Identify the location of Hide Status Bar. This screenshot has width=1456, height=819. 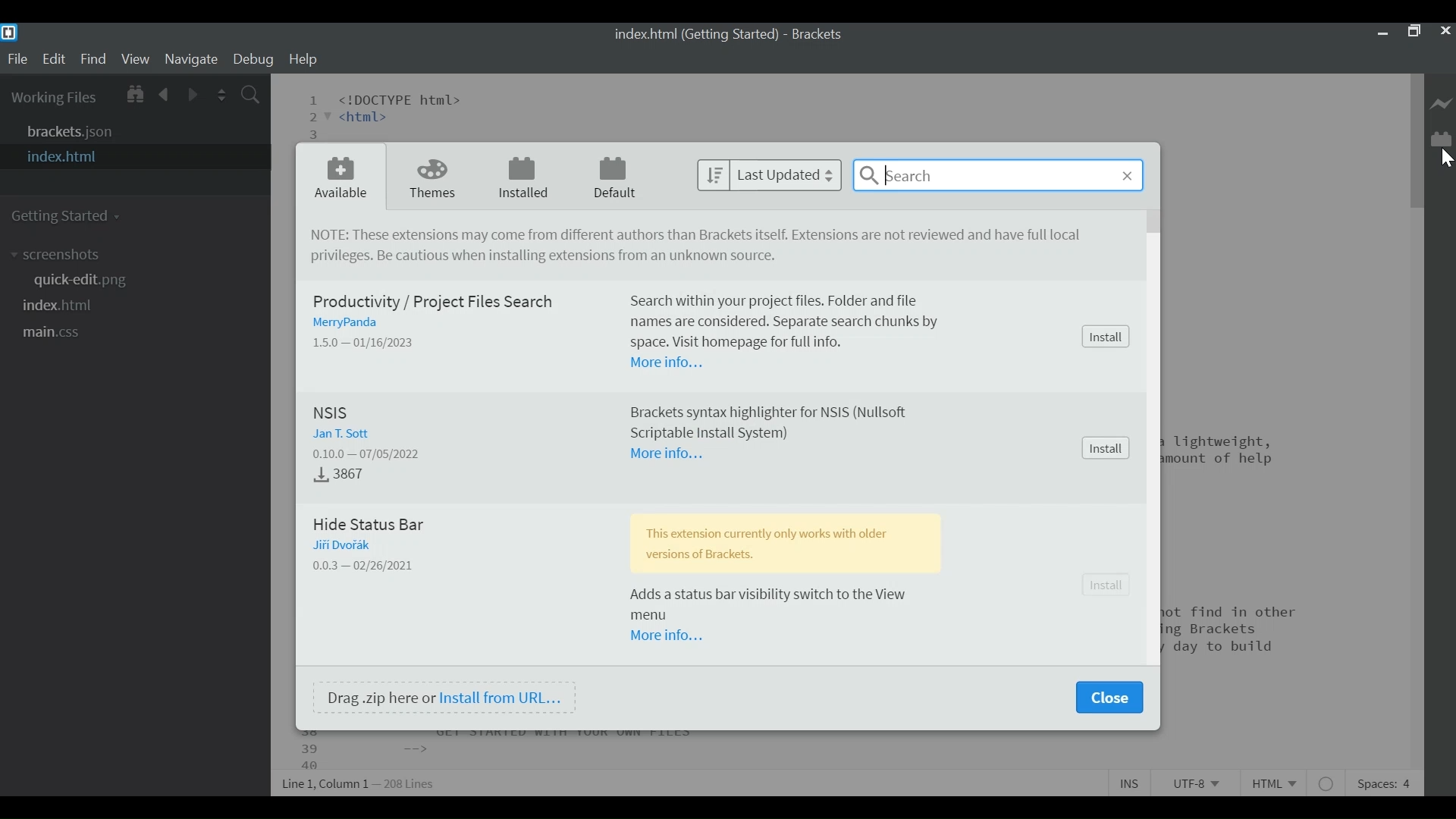
(372, 525).